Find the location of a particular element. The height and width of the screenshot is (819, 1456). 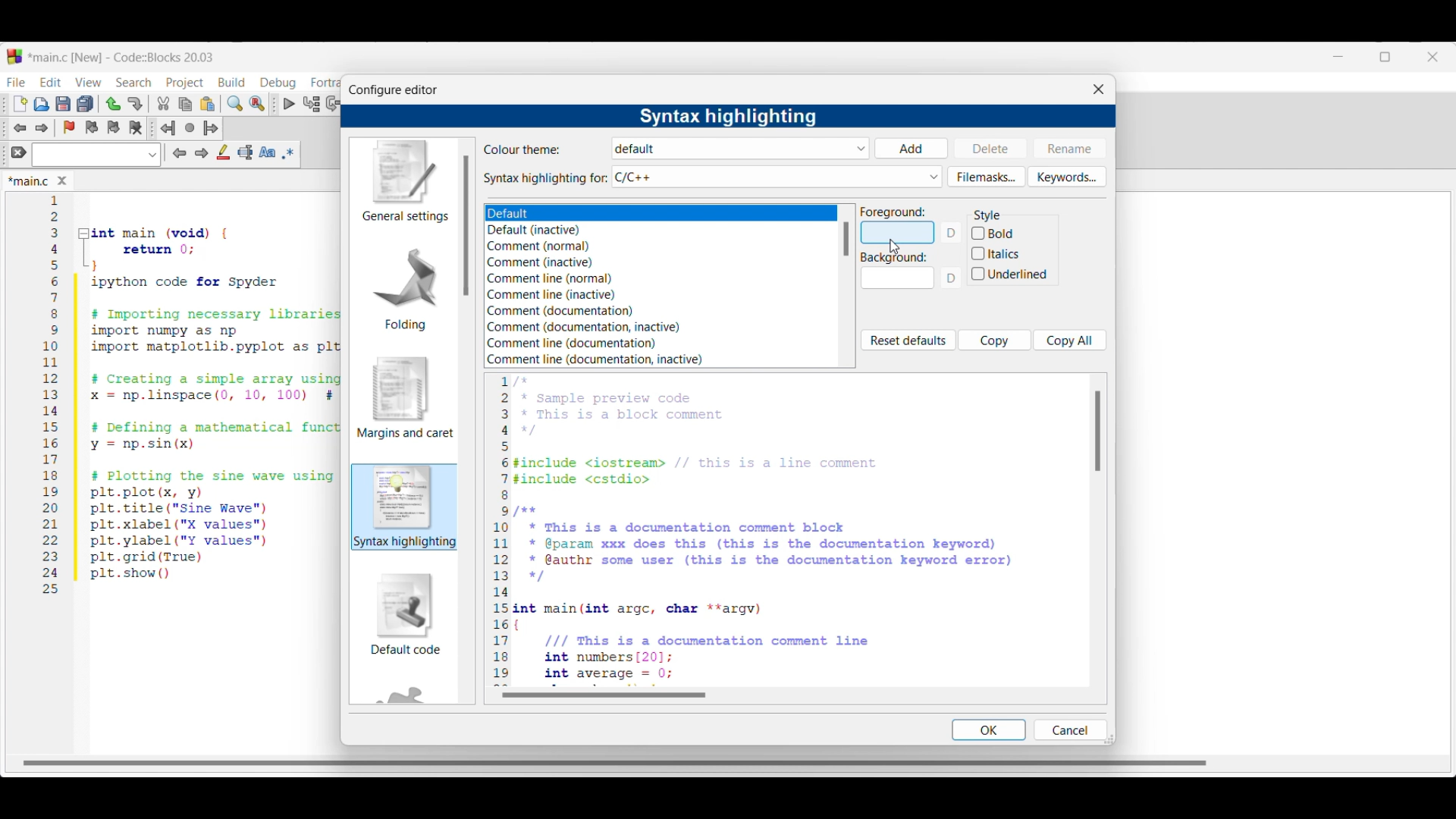

Close interface is located at coordinates (1432, 57).